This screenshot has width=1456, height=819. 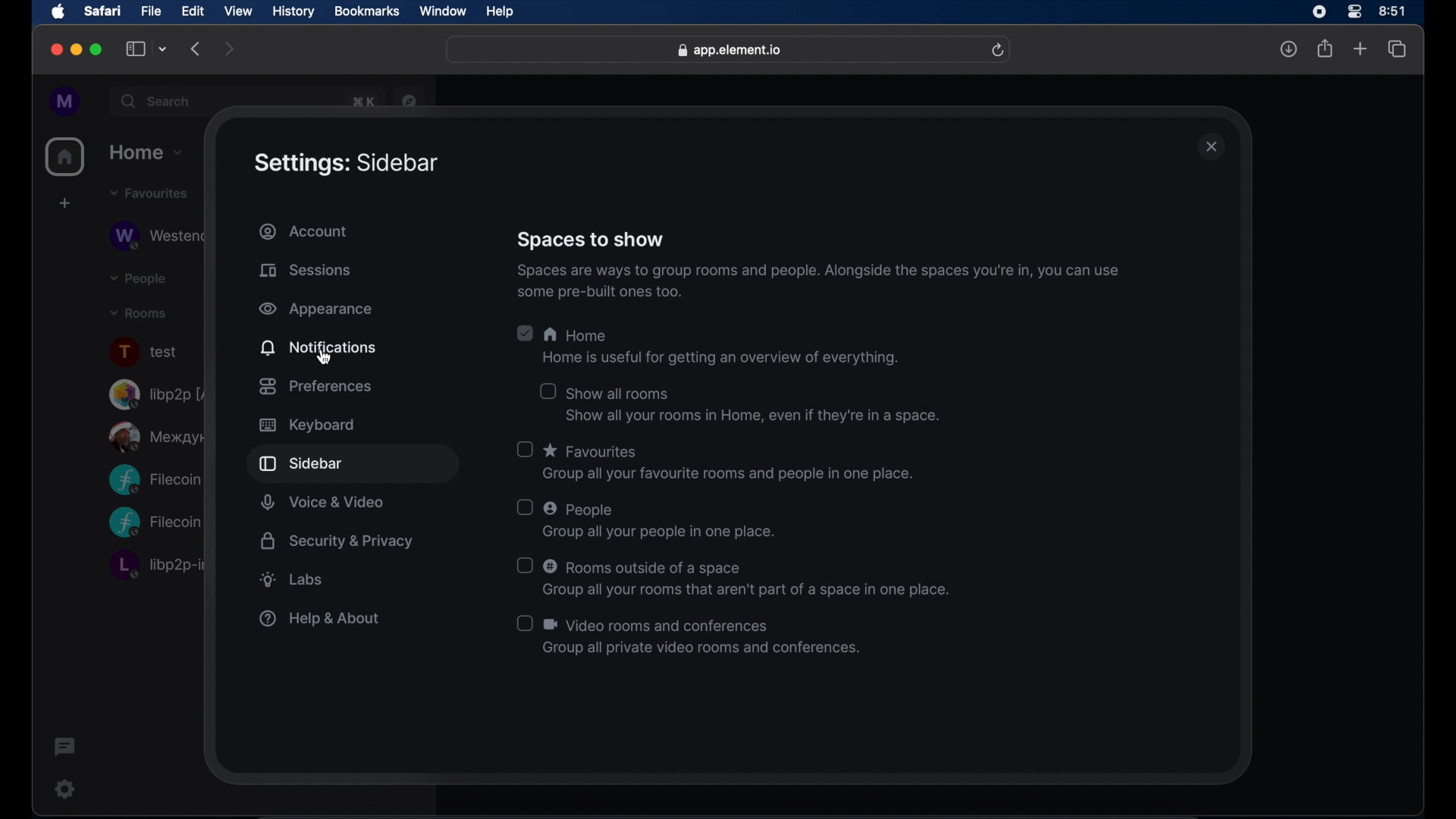 What do you see at coordinates (64, 102) in the screenshot?
I see `profile` at bounding box center [64, 102].